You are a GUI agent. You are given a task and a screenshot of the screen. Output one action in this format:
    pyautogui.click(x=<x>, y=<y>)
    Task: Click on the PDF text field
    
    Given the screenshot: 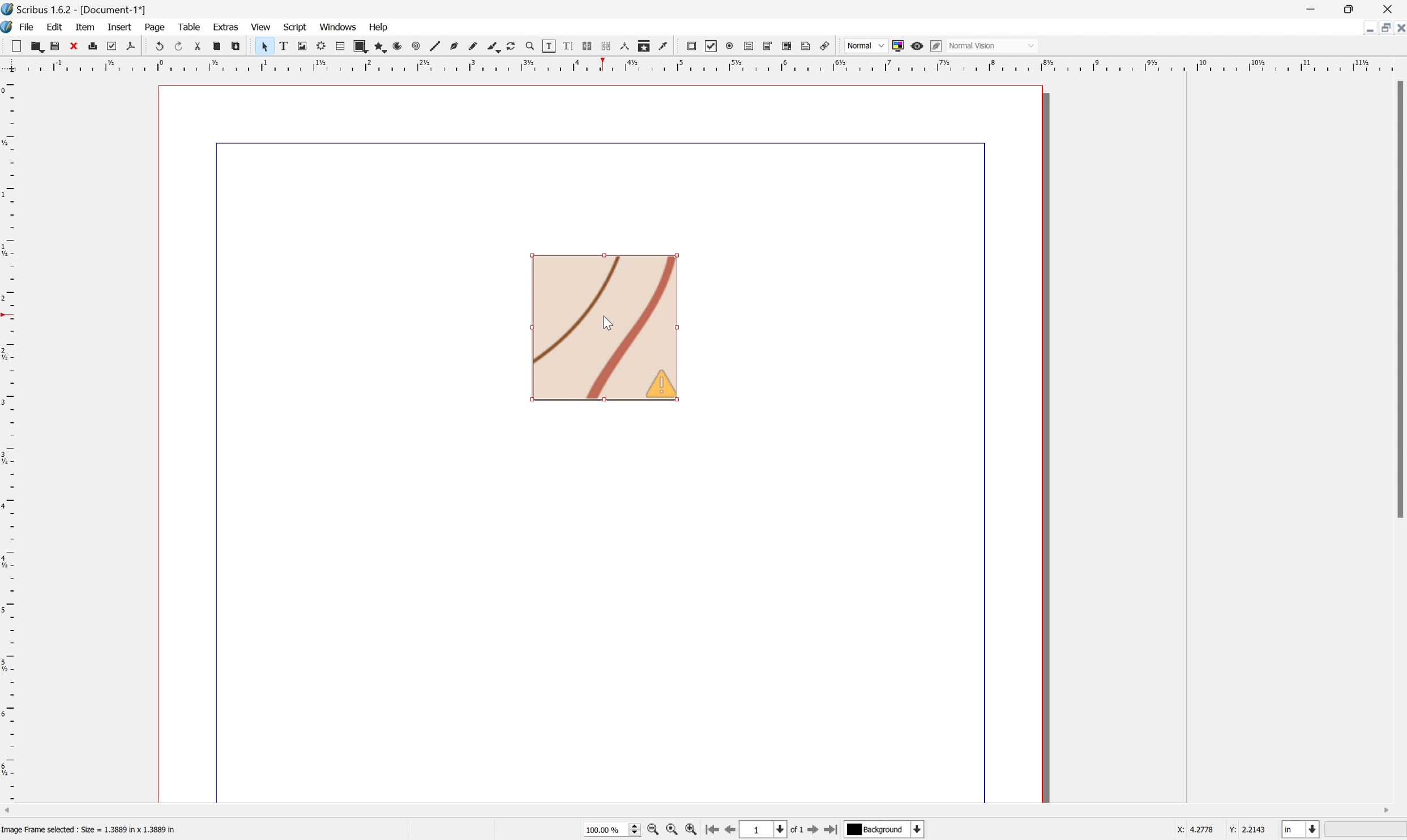 What is the action you would take?
    pyautogui.click(x=747, y=47)
    